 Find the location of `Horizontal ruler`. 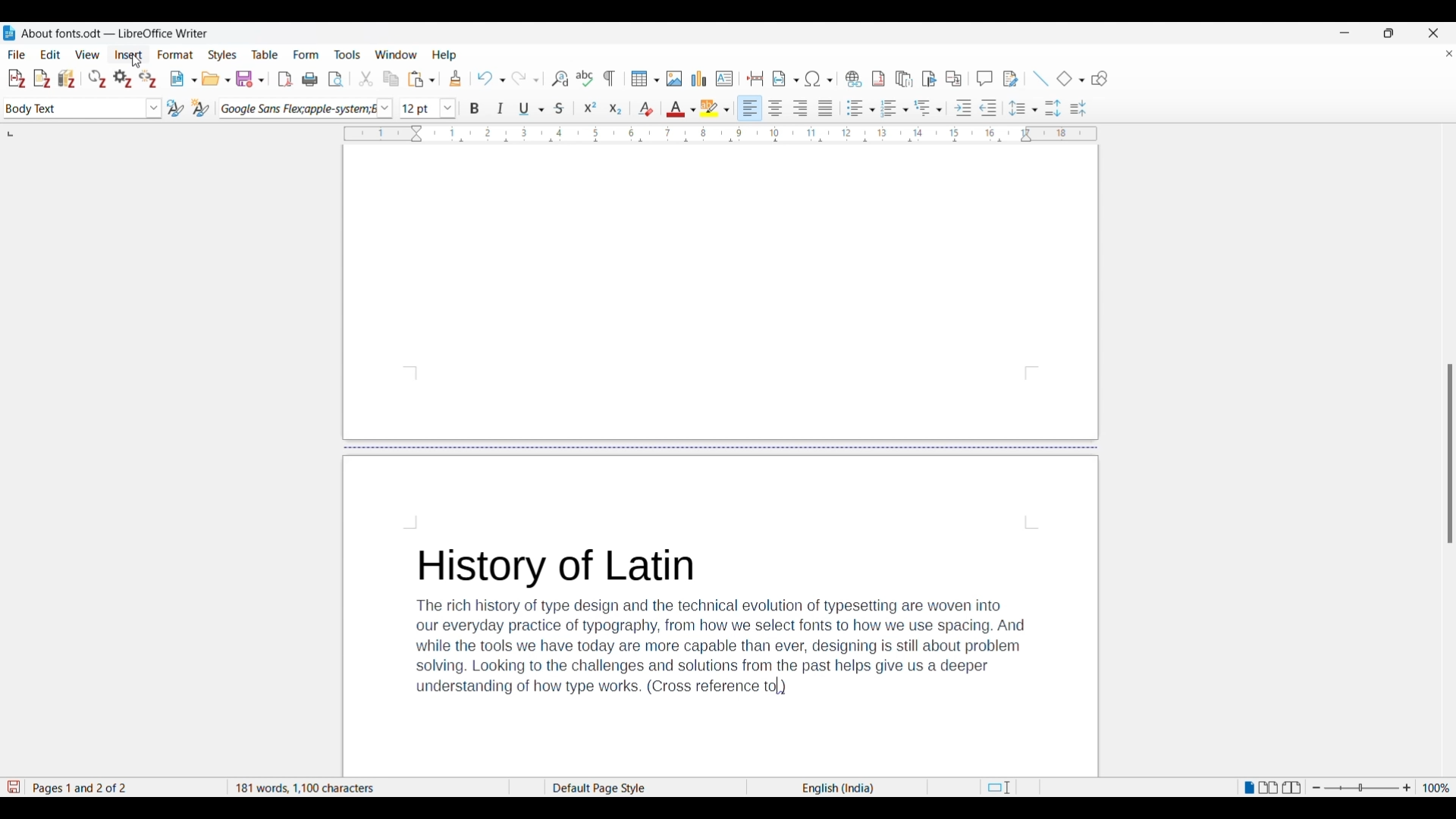

Horizontal ruler is located at coordinates (720, 134).